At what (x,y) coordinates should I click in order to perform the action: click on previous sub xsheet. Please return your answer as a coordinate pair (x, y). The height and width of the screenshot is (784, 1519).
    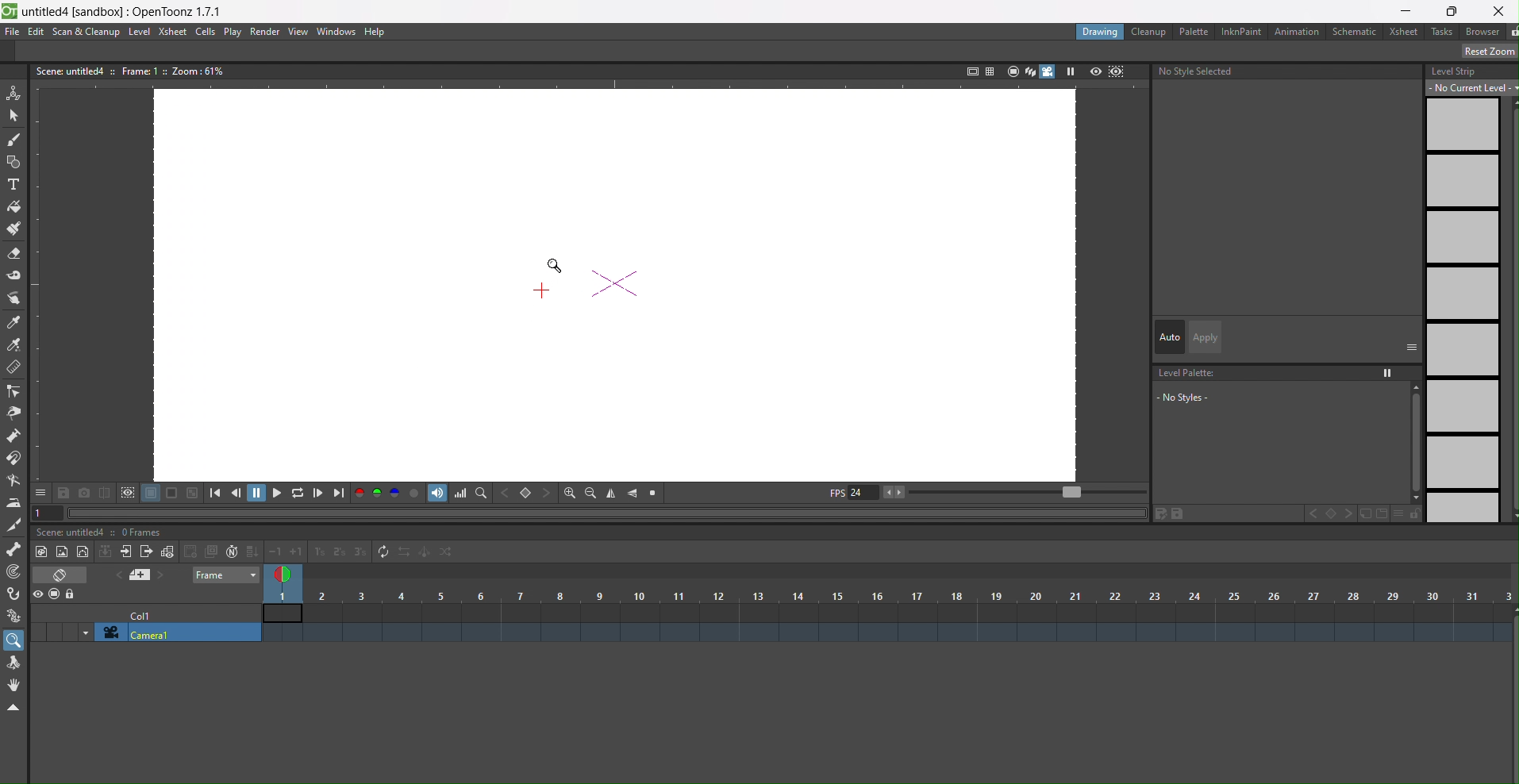
    Looking at the image, I should click on (127, 552).